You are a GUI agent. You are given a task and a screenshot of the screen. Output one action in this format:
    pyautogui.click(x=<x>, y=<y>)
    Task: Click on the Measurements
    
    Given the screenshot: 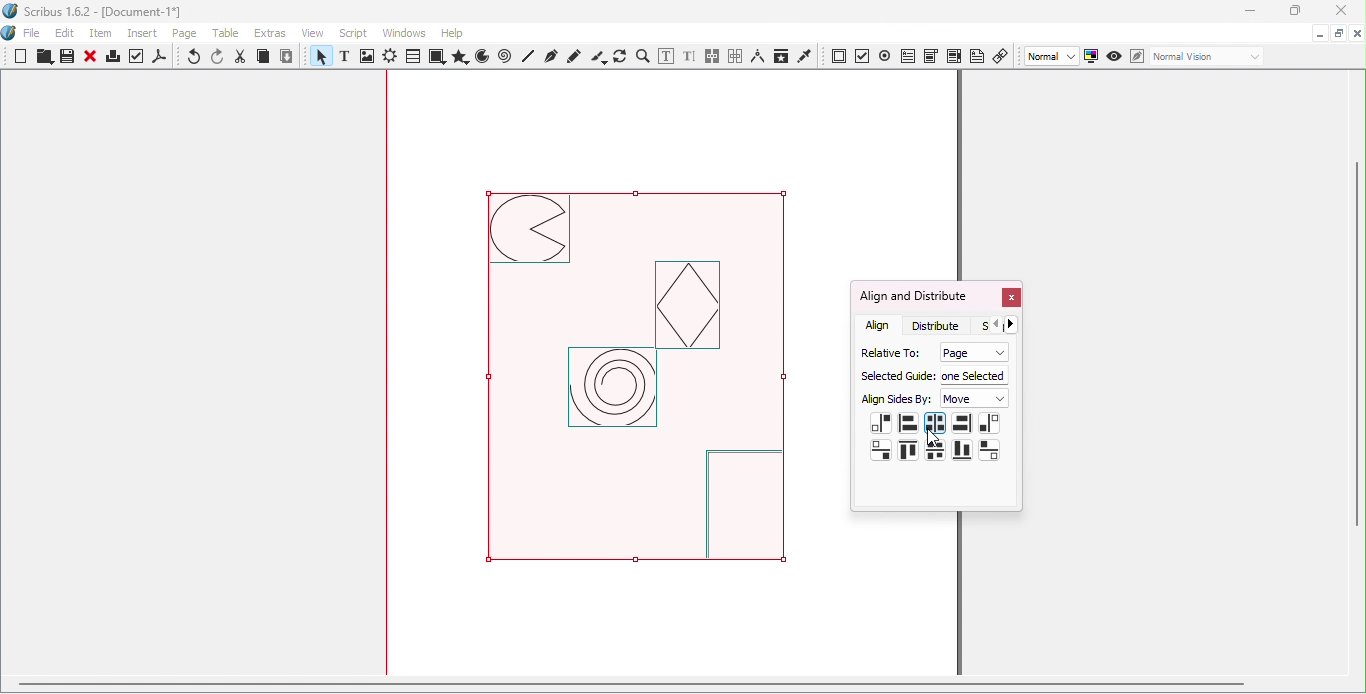 What is the action you would take?
    pyautogui.click(x=757, y=56)
    